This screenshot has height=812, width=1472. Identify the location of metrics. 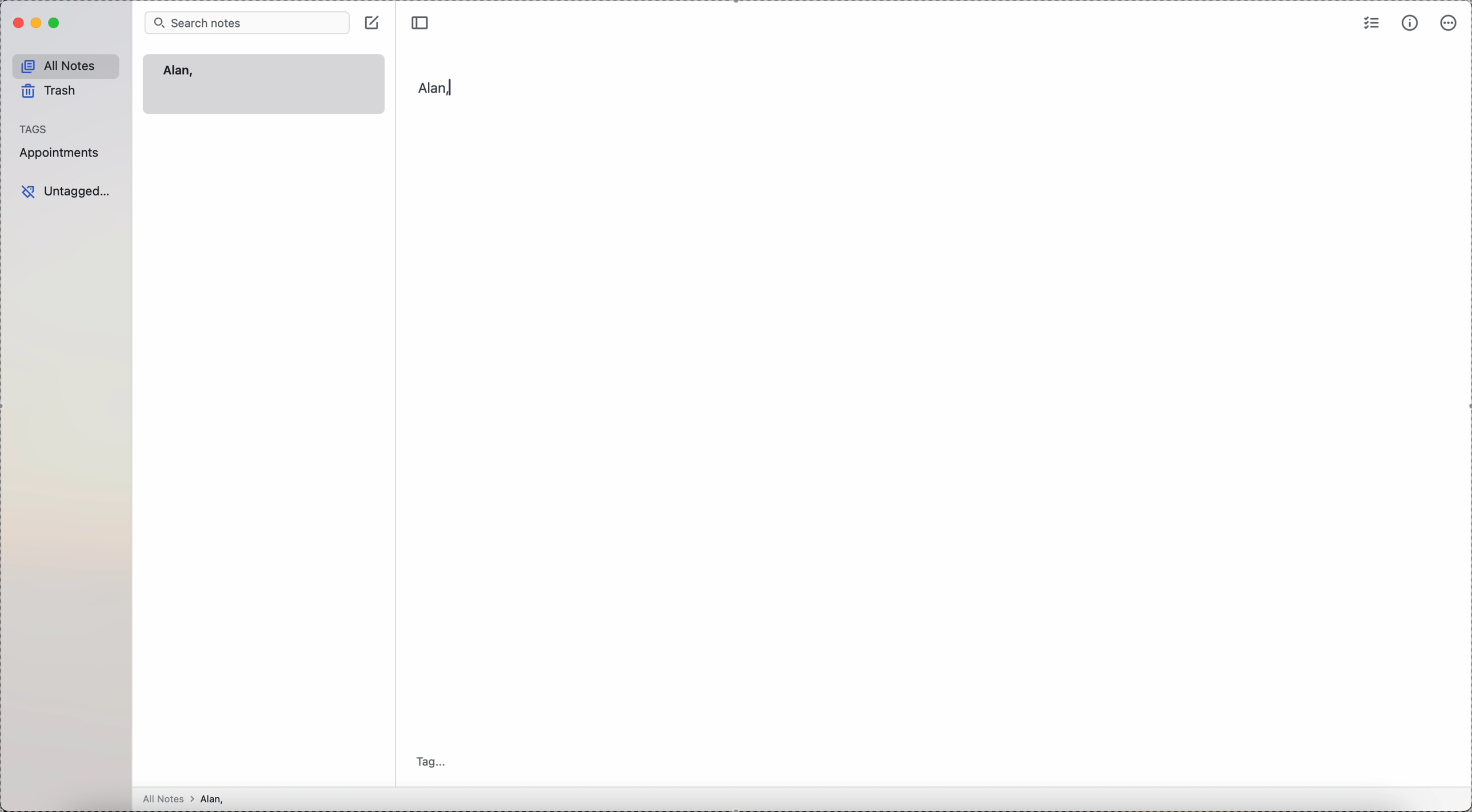
(1410, 23).